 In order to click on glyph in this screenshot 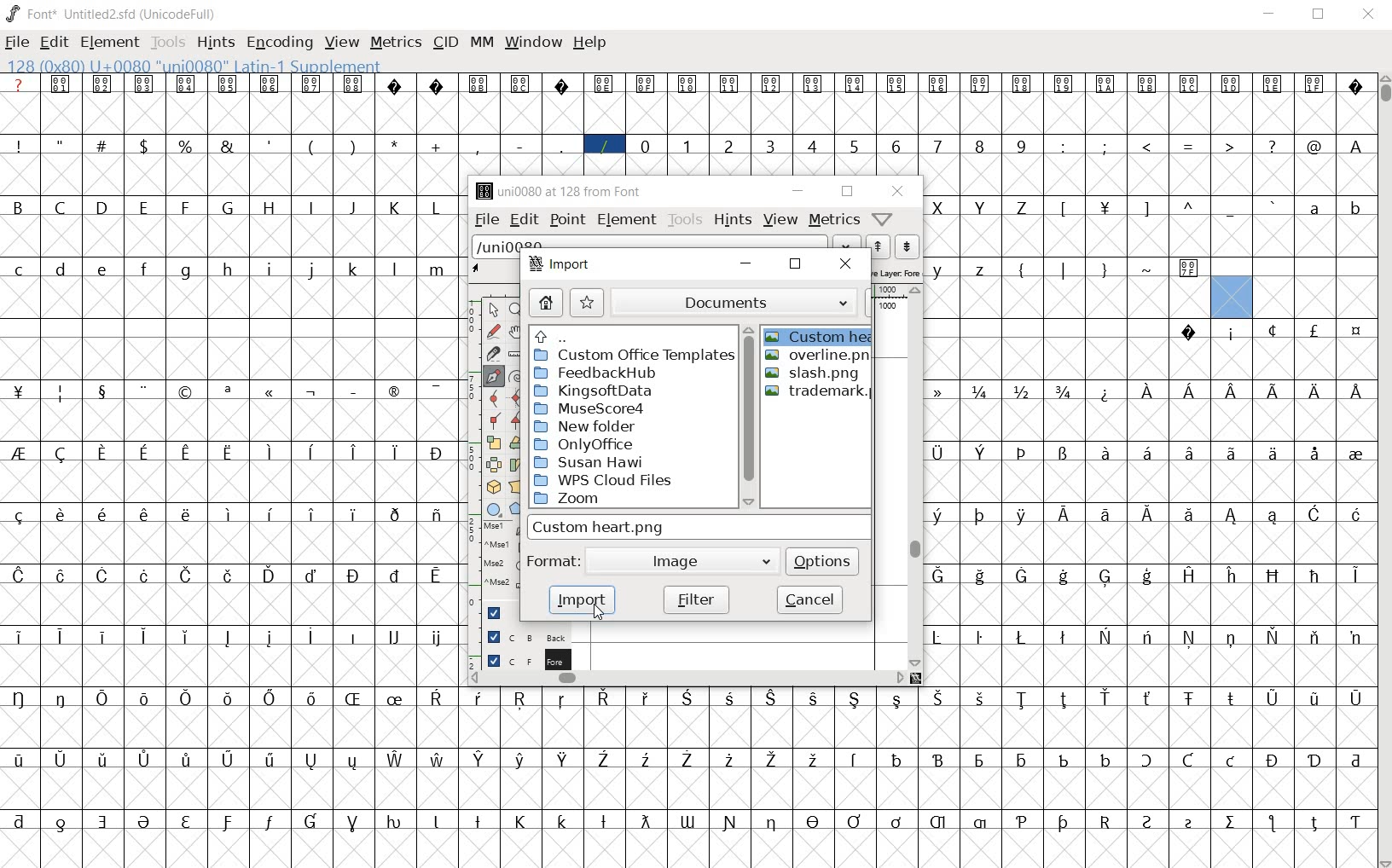, I will do `click(1190, 148)`.